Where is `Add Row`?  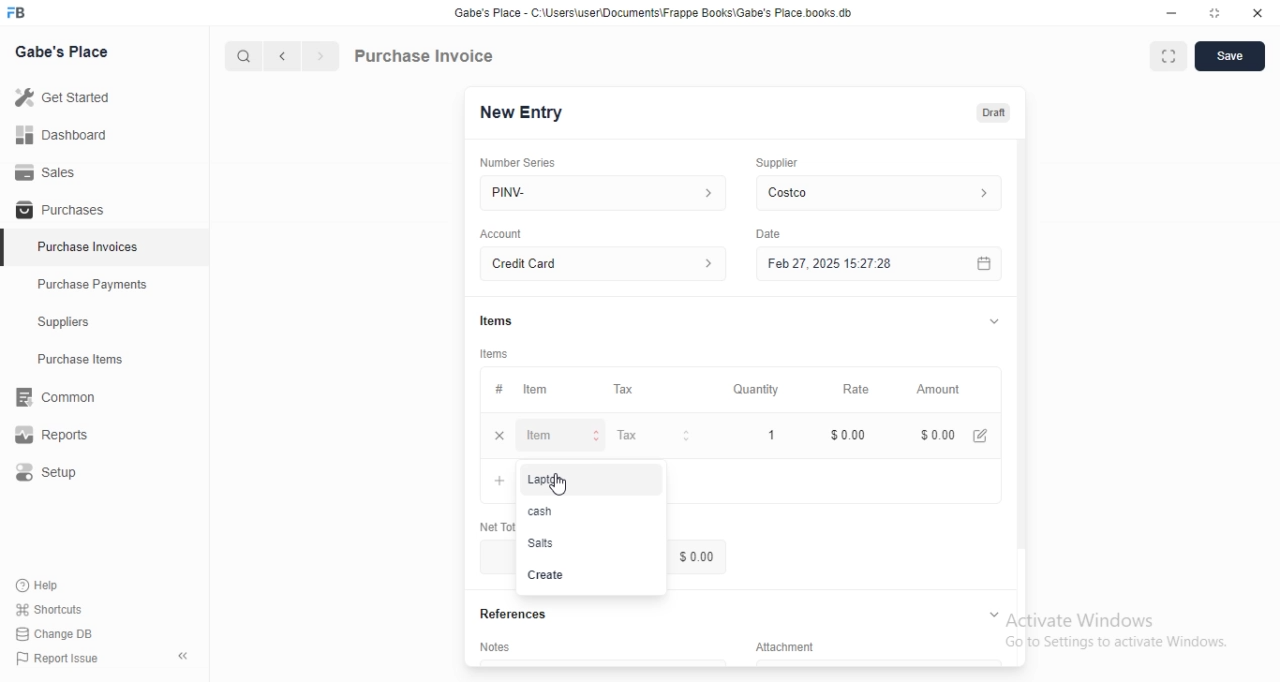
Add Row is located at coordinates (835, 481).